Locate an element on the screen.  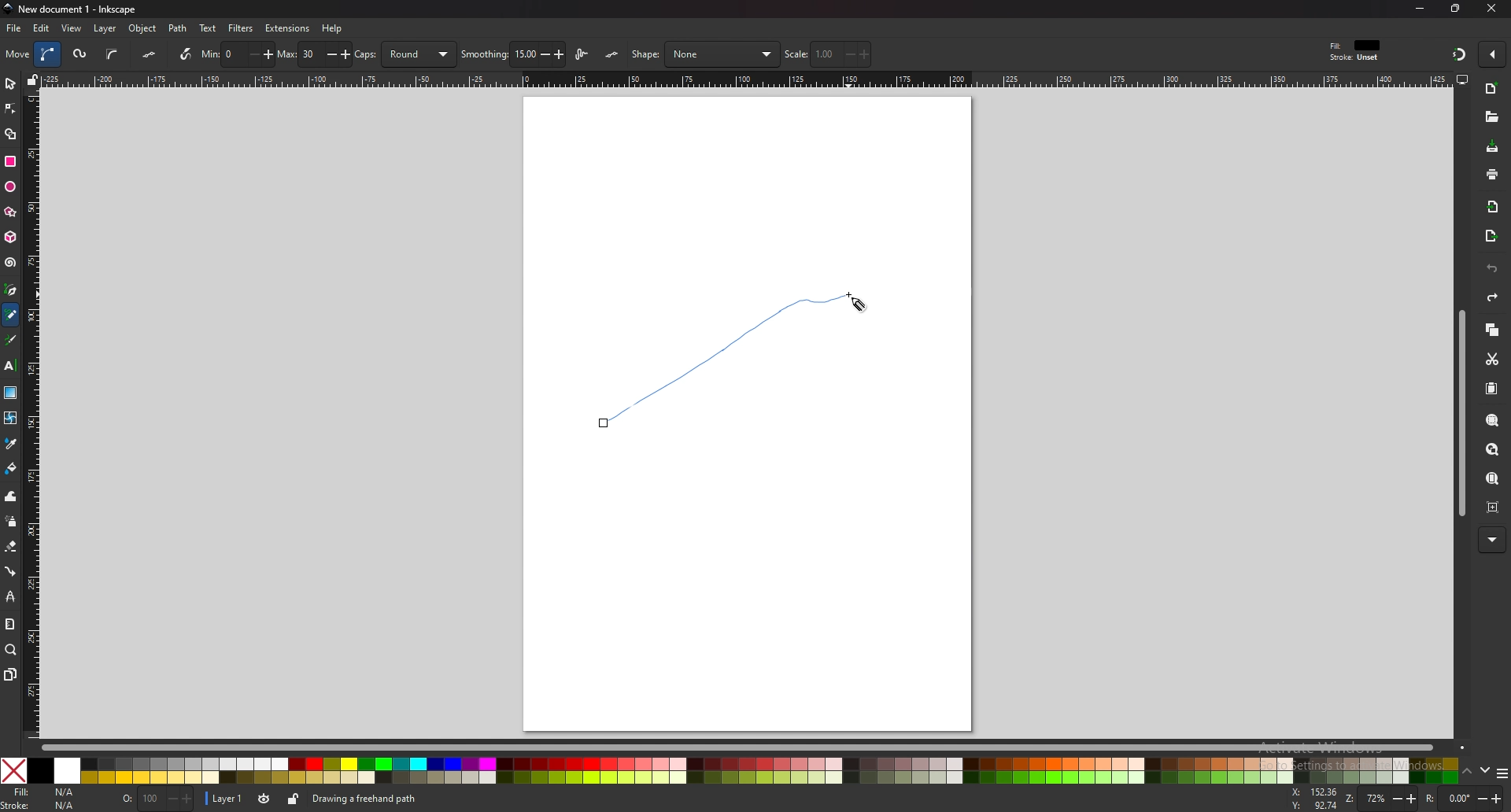
lpe simplify flatten is located at coordinates (611, 55).